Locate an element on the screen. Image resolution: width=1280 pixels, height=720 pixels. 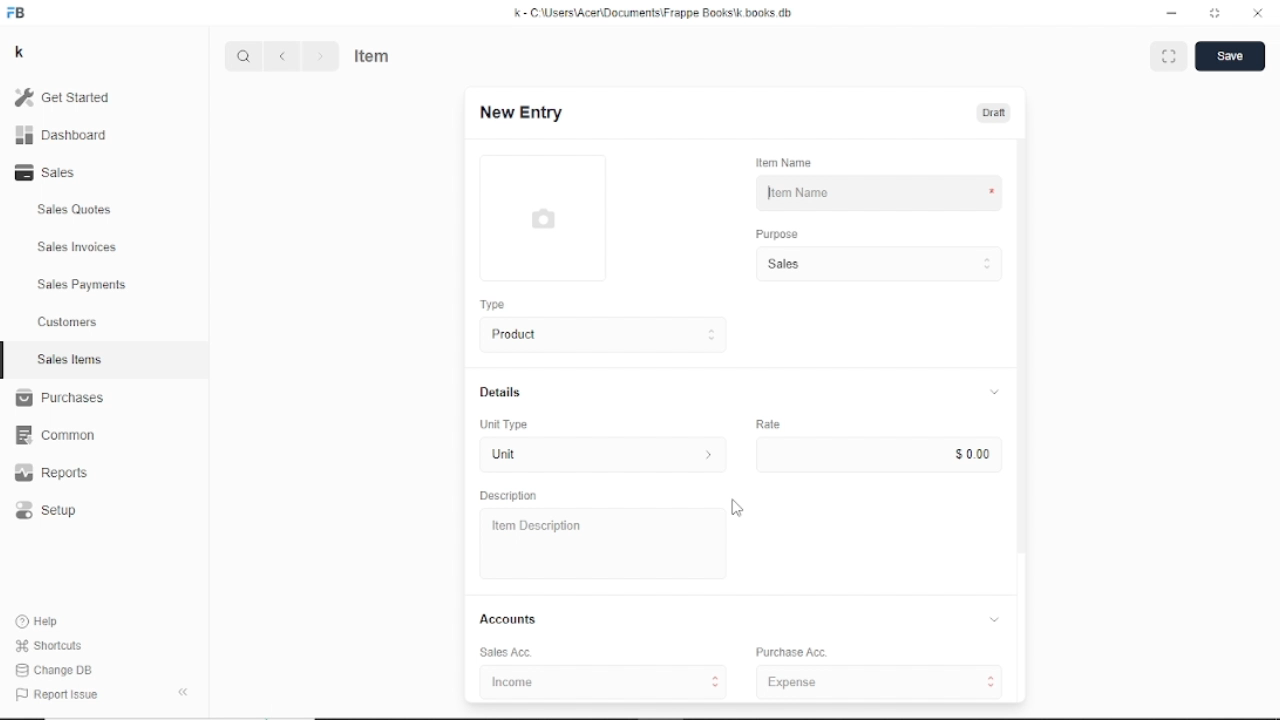
Sales is located at coordinates (877, 264).